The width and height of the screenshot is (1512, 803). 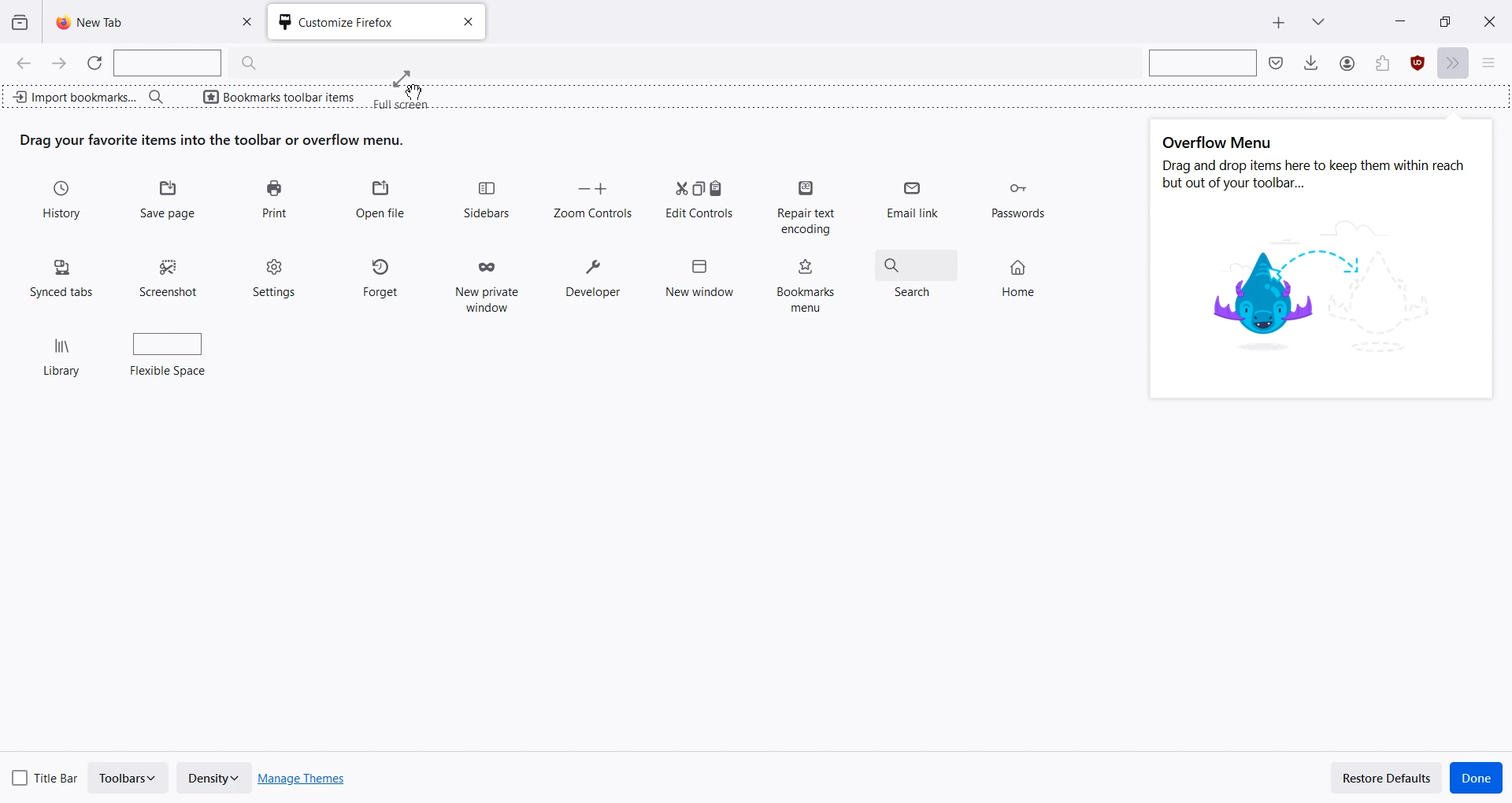 I want to click on Bookmarks menu, so click(x=805, y=284).